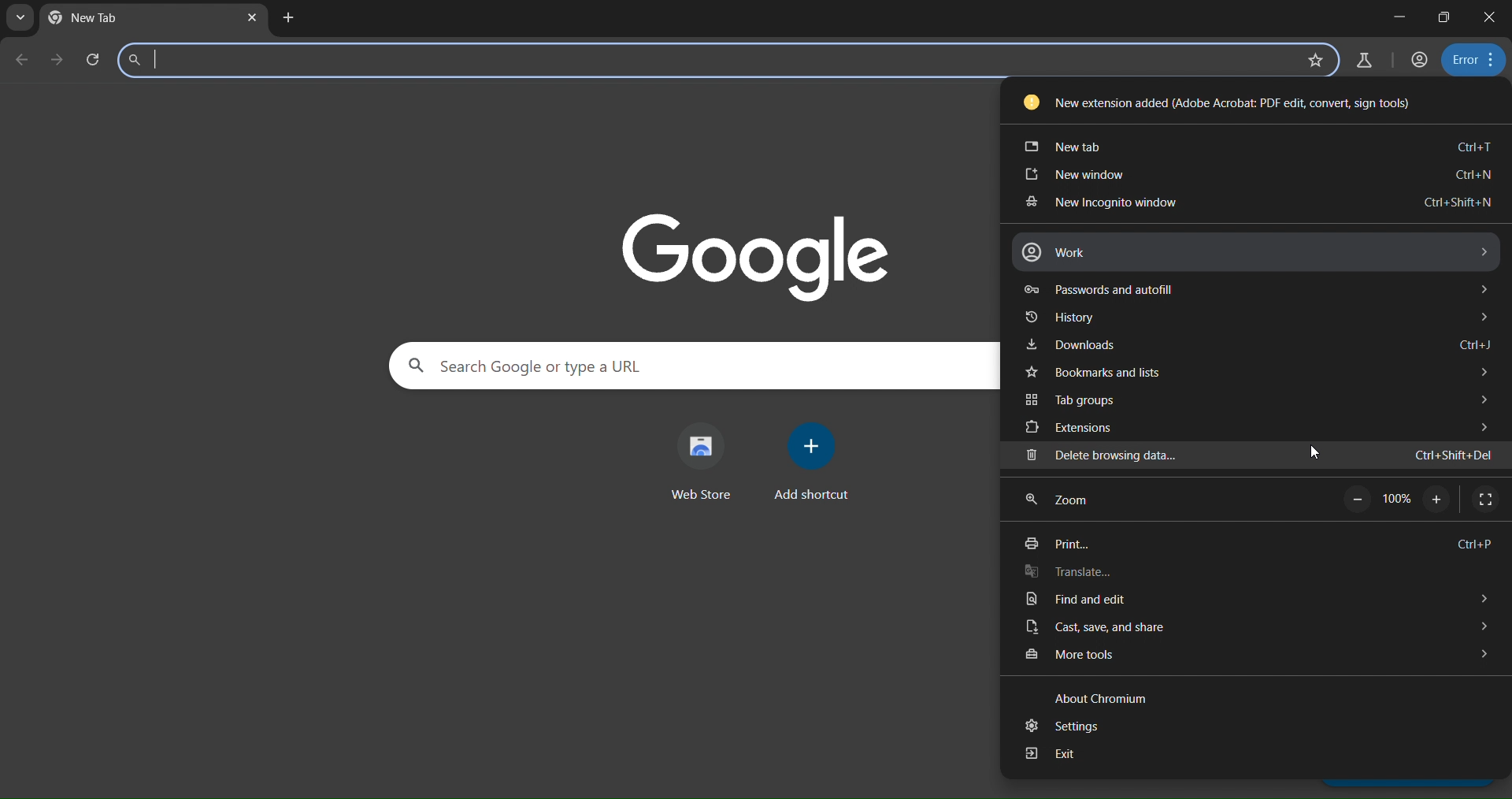 This screenshot has height=799, width=1512. What do you see at coordinates (1256, 347) in the screenshot?
I see `downloads` at bounding box center [1256, 347].